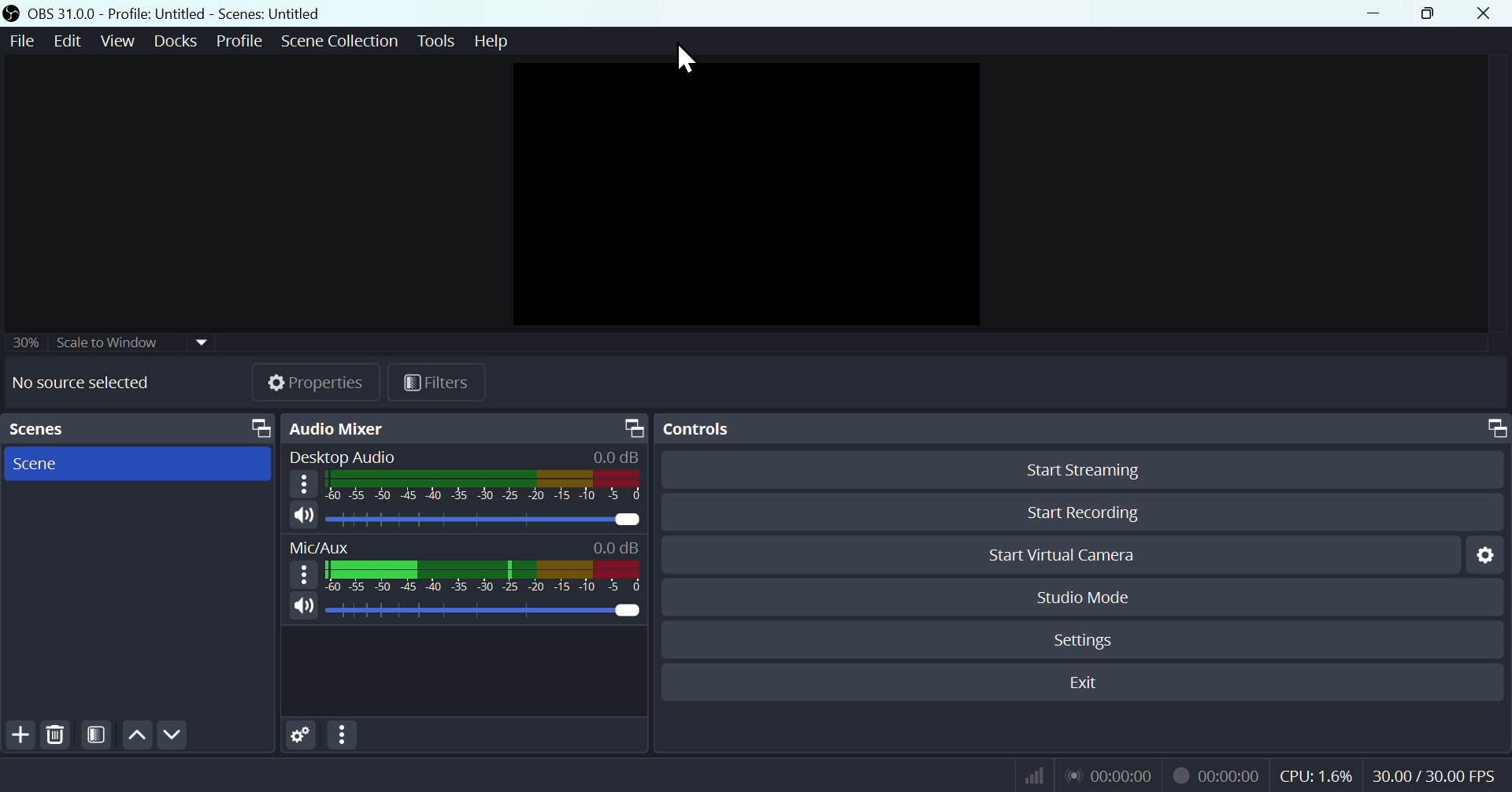 This screenshot has width=1512, height=792. I want to click on More options, so click(303, 574).